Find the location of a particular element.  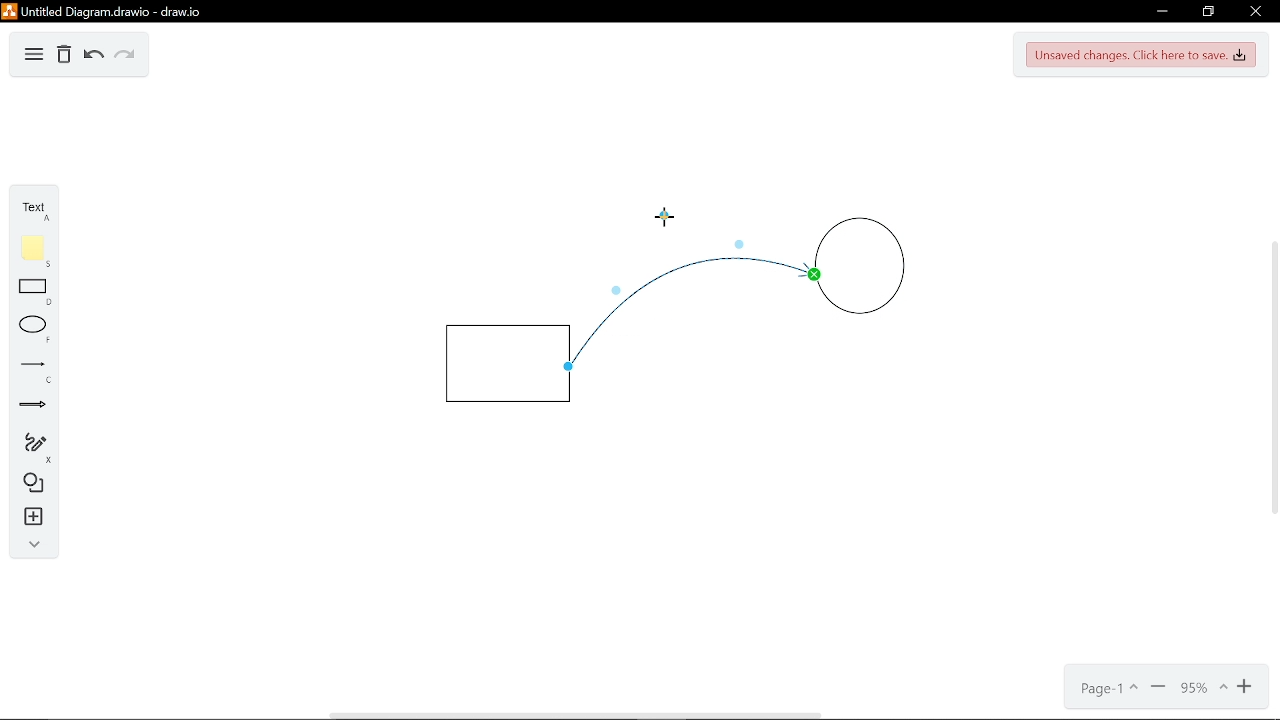

Redo is located at coordinates (126, 56).